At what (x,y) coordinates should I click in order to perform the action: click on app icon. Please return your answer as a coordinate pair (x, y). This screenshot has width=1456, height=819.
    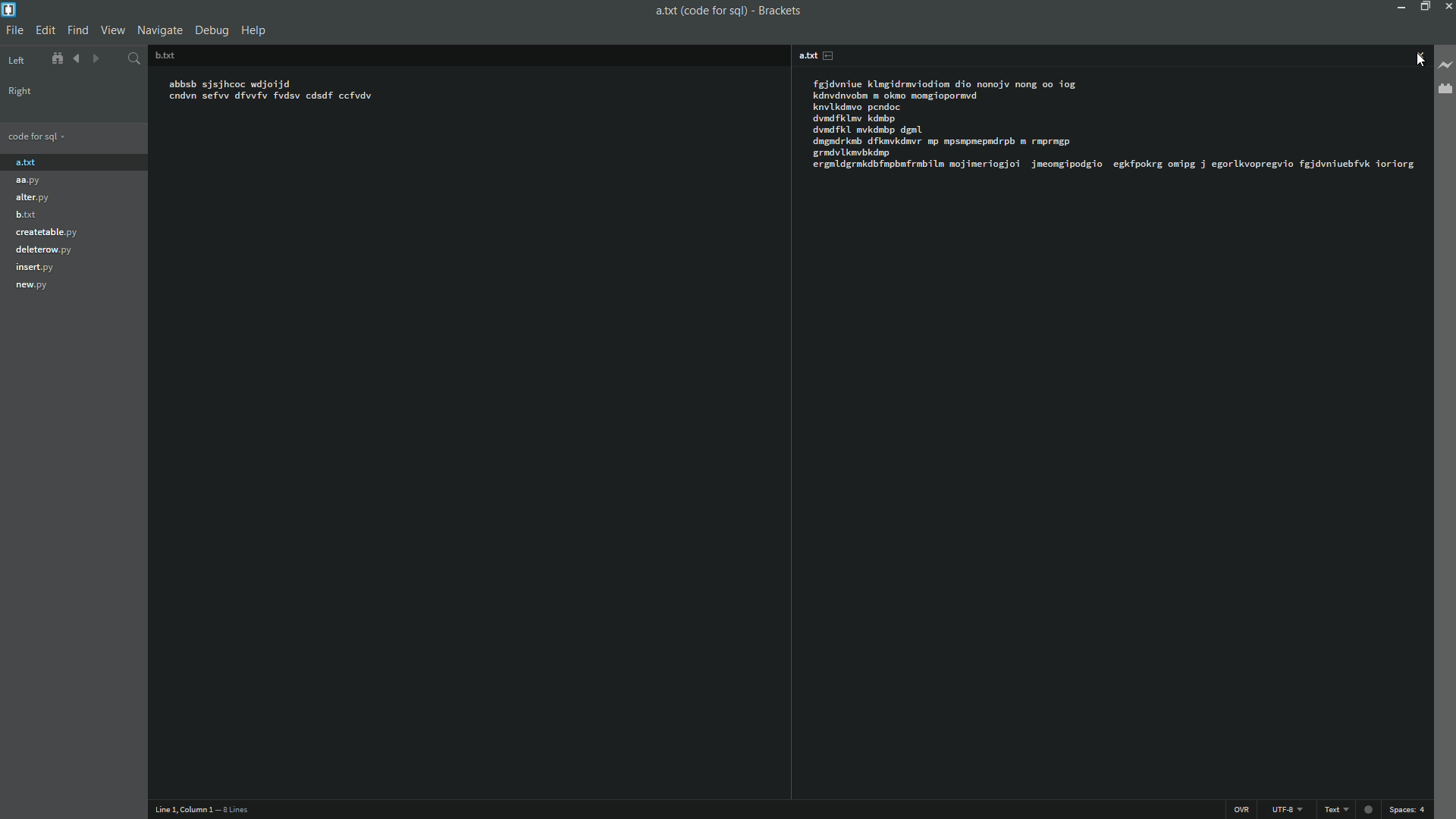
    Looking at the image, I should click on (9, 9).